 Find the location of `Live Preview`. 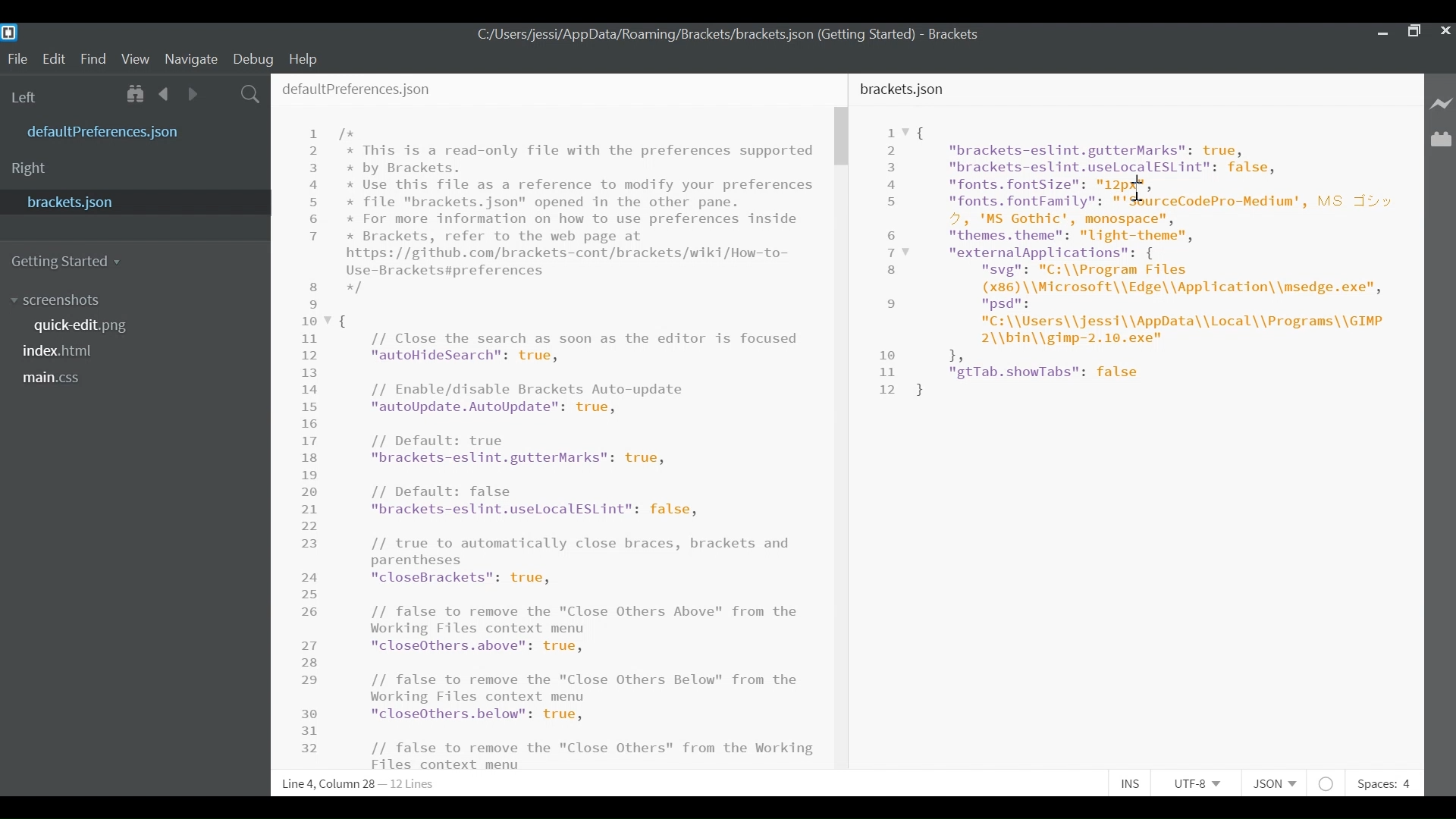

Live Preview is located at coordinates (1442, 103).